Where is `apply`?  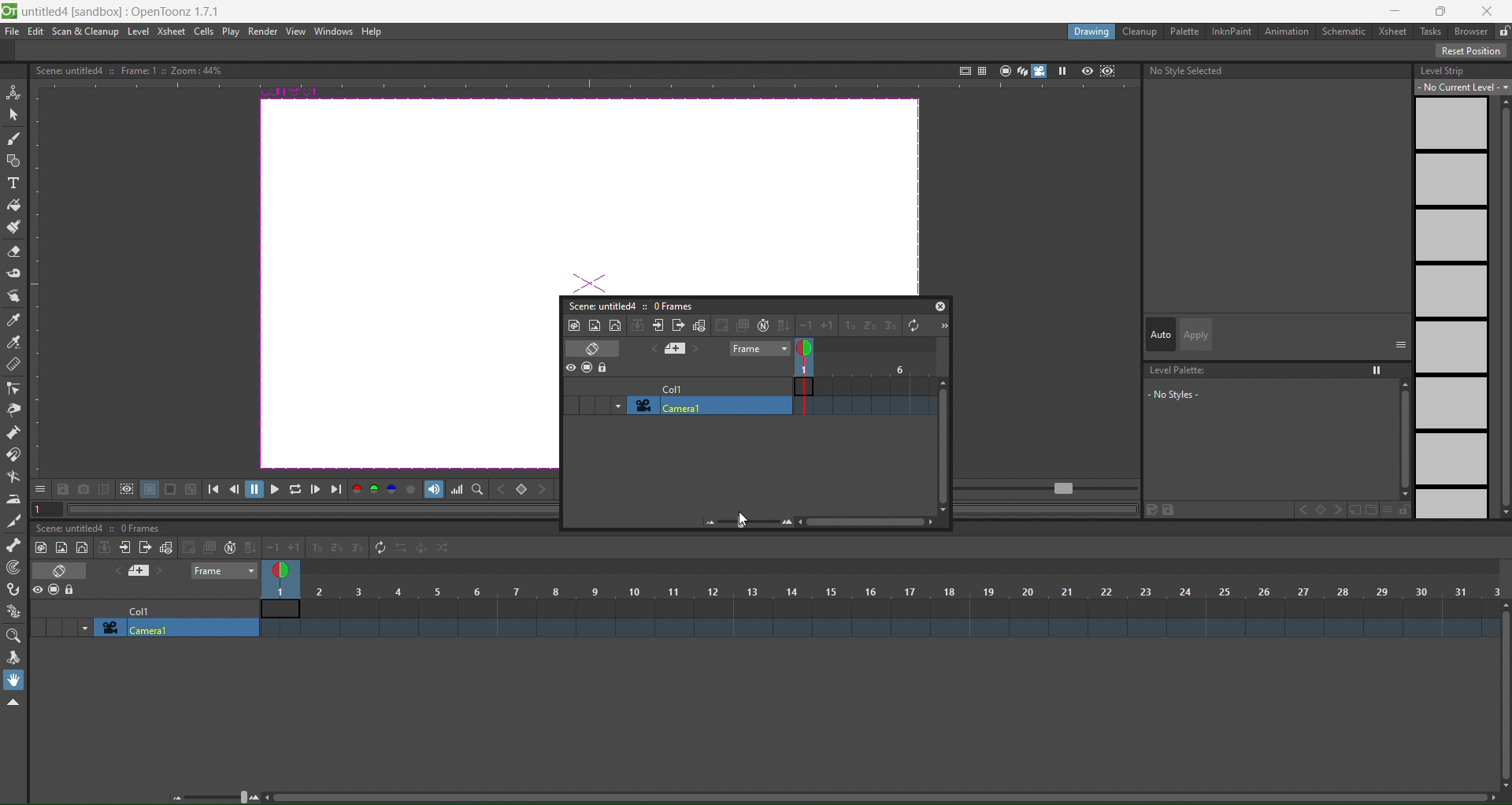 apply is located at coordinates (1195, 335).